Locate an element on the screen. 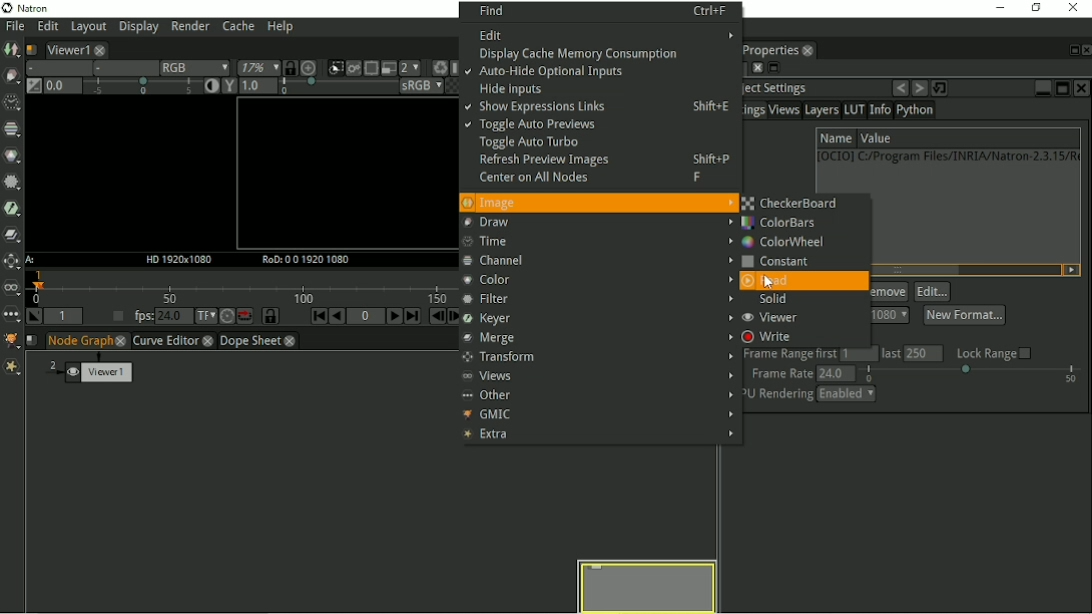 The image size is (1092, 614). Synchronize is located at coordinates (289, 67).